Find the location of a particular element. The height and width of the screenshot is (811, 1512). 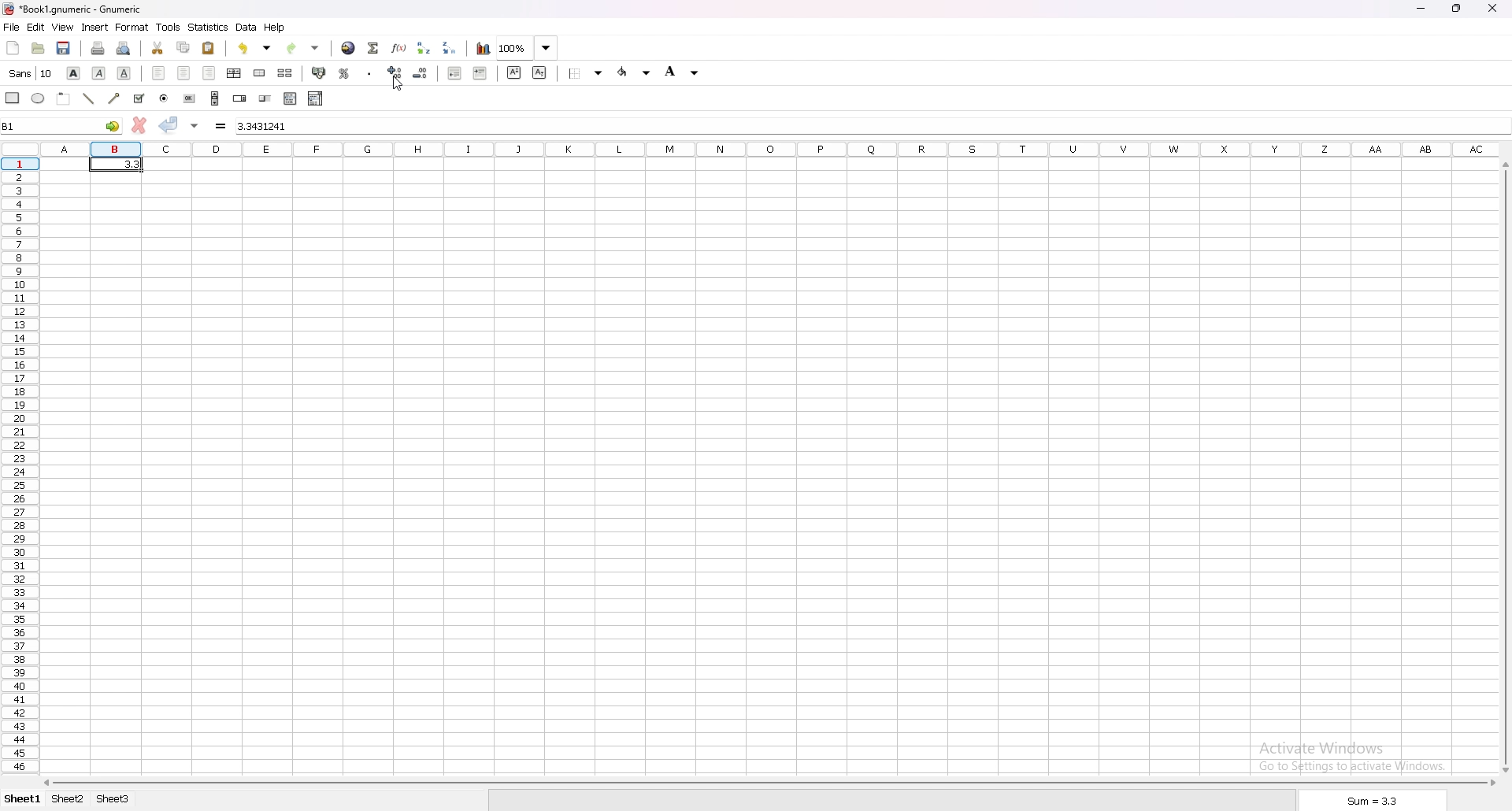

accept changes in multiple cells is located at coordinates (195, 126).